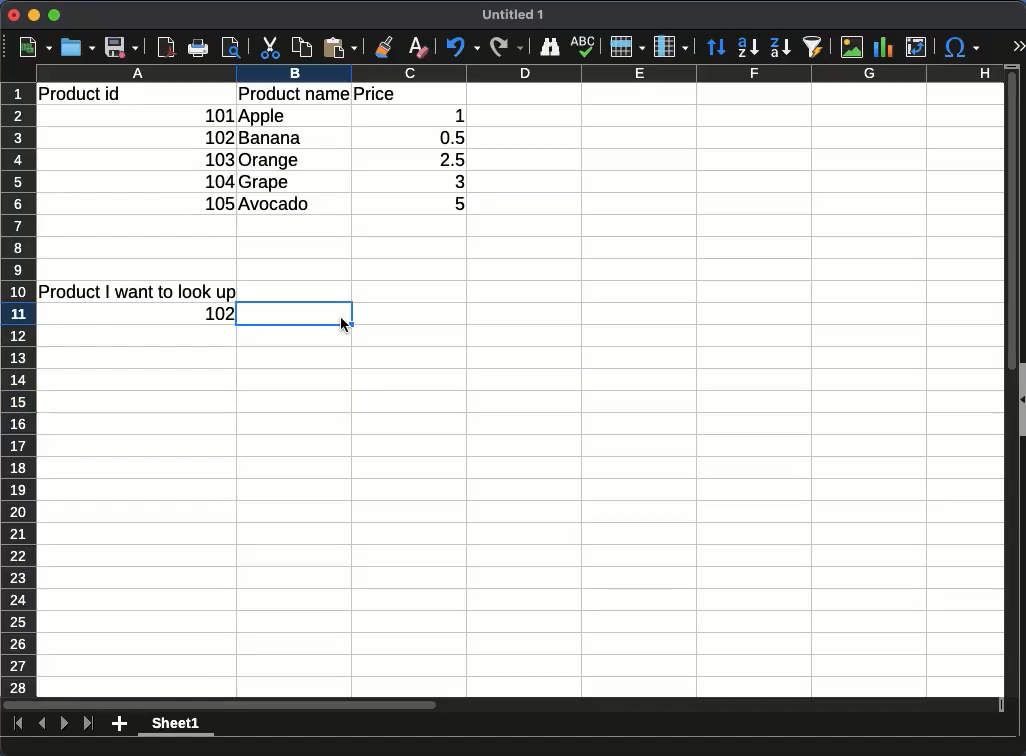 The width and height of the screenshot is (1026, 756). I want to click on 101, so click(217, 116).